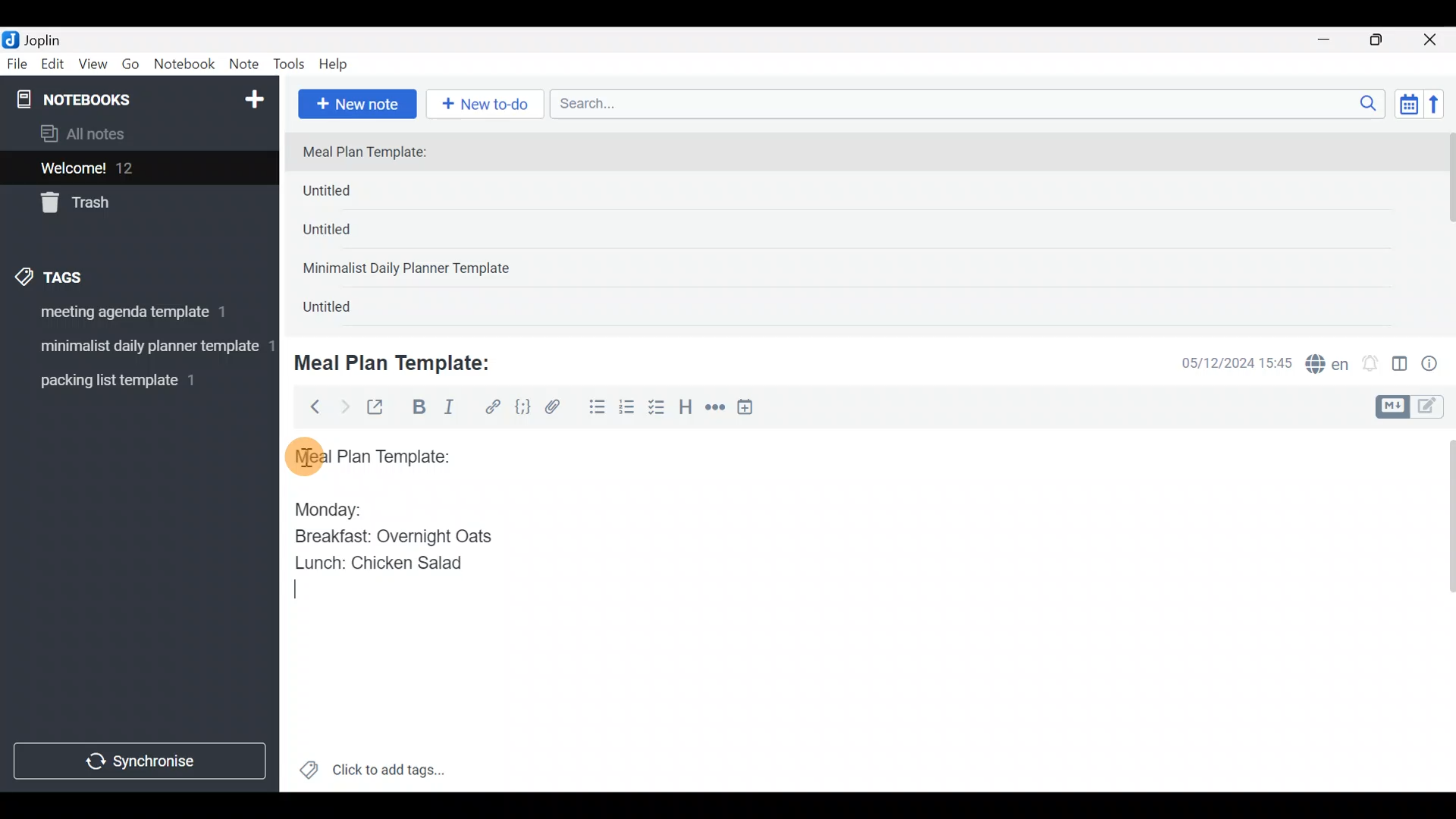 This screenshot has width=1456, height=819. Describe the element at coordinates (557, 409) in the screenshot. I see `Attach file` at that location.